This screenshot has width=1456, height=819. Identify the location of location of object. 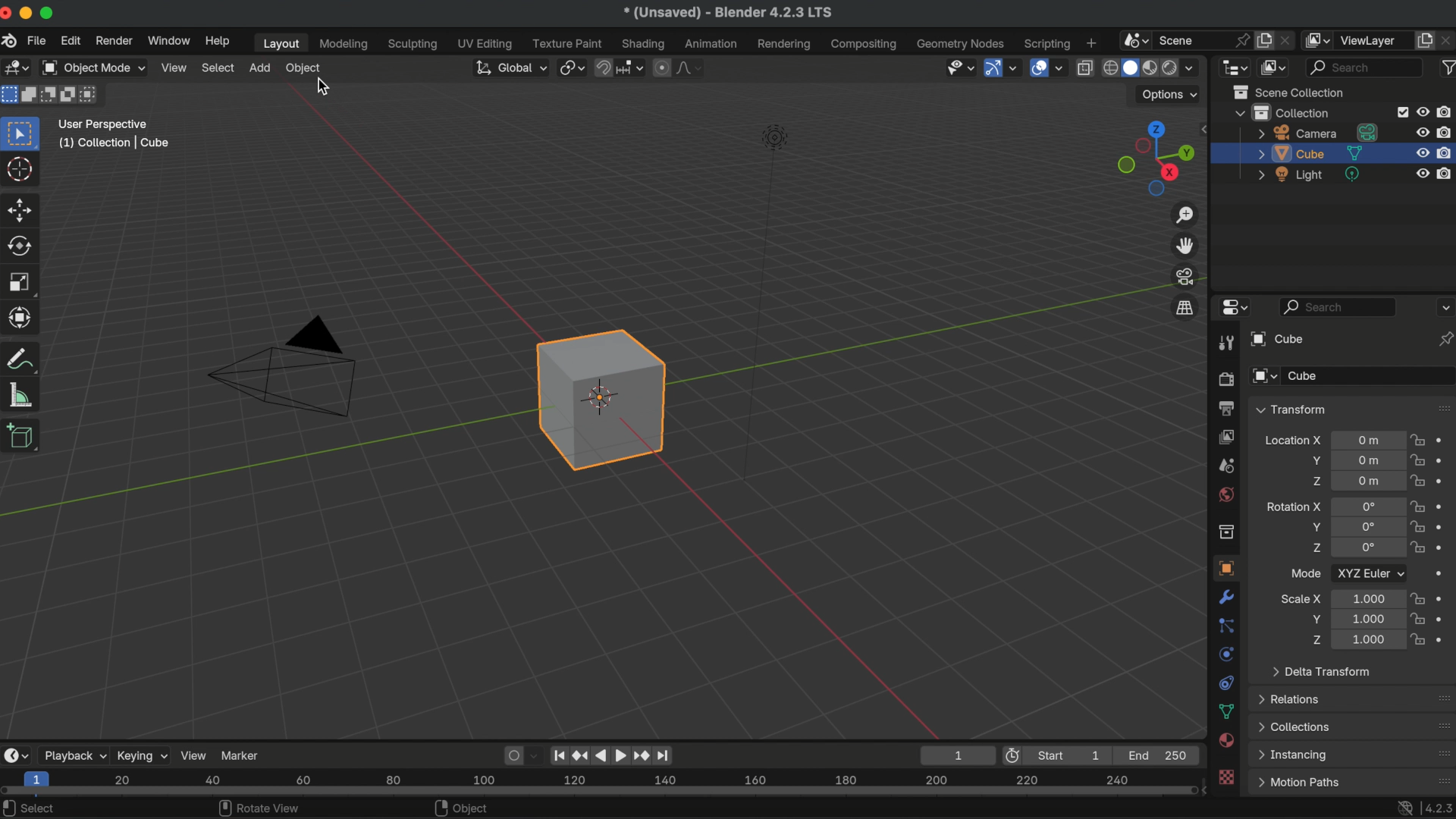
(1368, 481).